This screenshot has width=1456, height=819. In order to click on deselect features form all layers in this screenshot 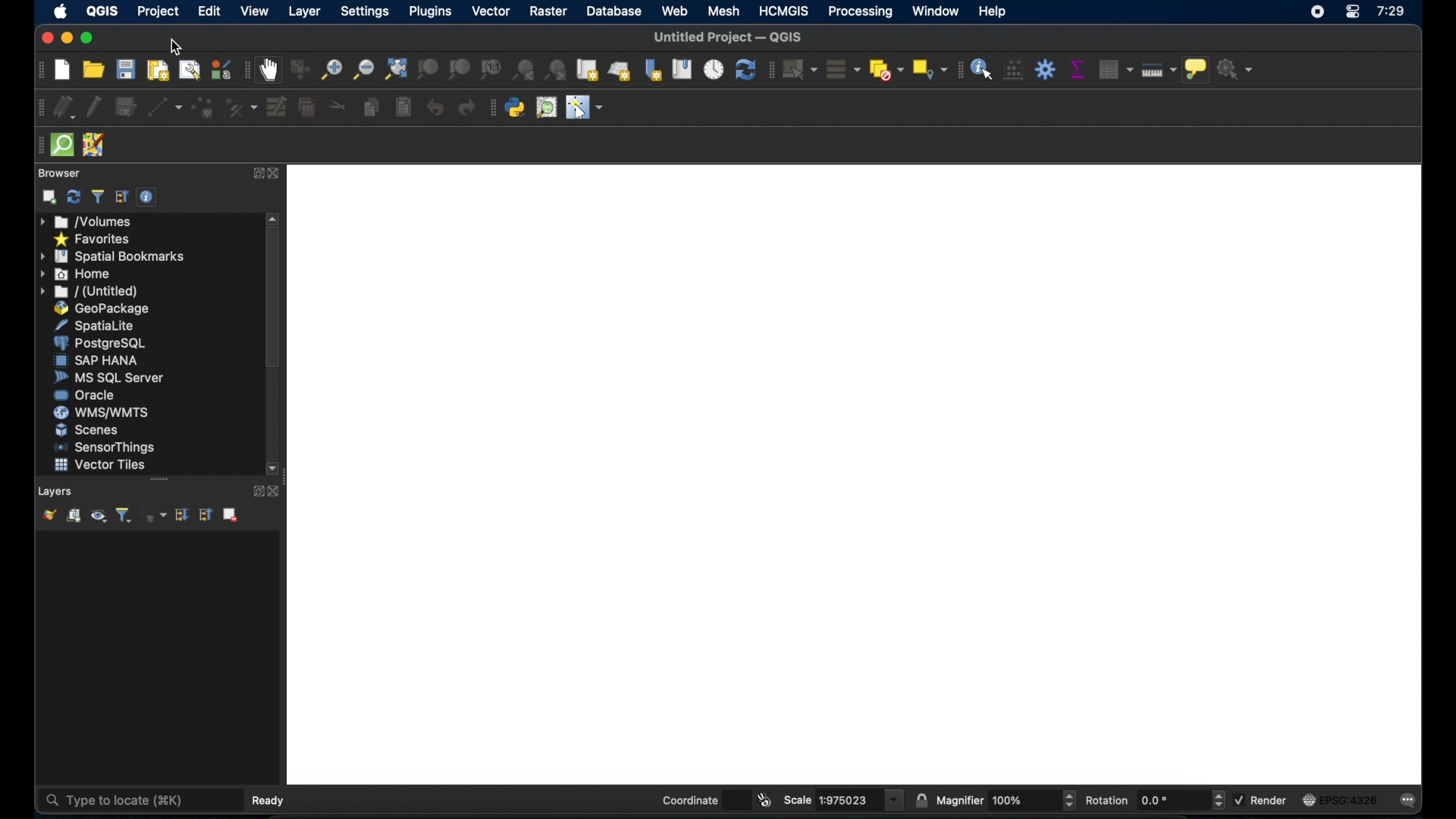, I will do `click(886, 70)`.